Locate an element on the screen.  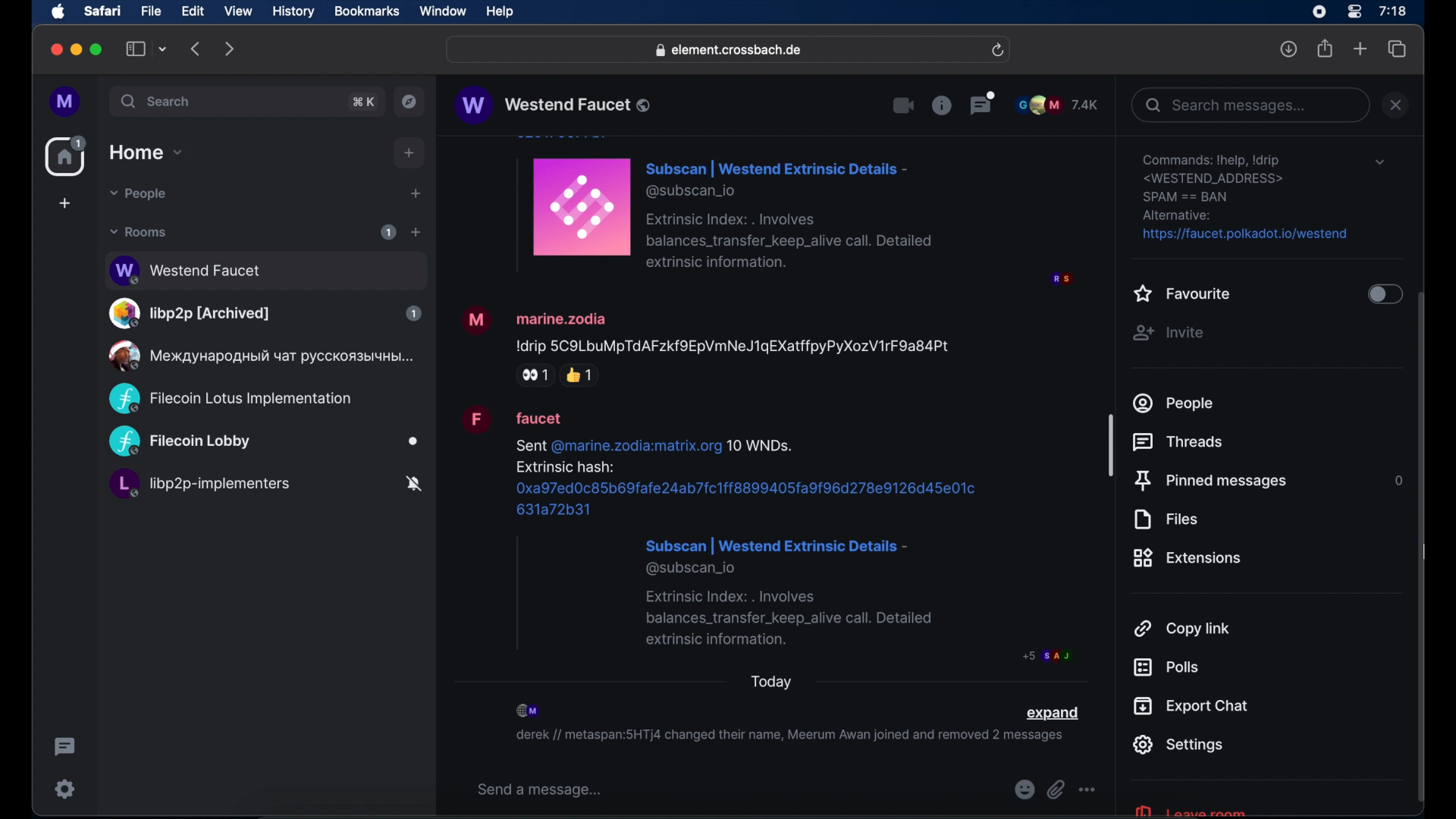
start chat is located at coordinates (415, 194).